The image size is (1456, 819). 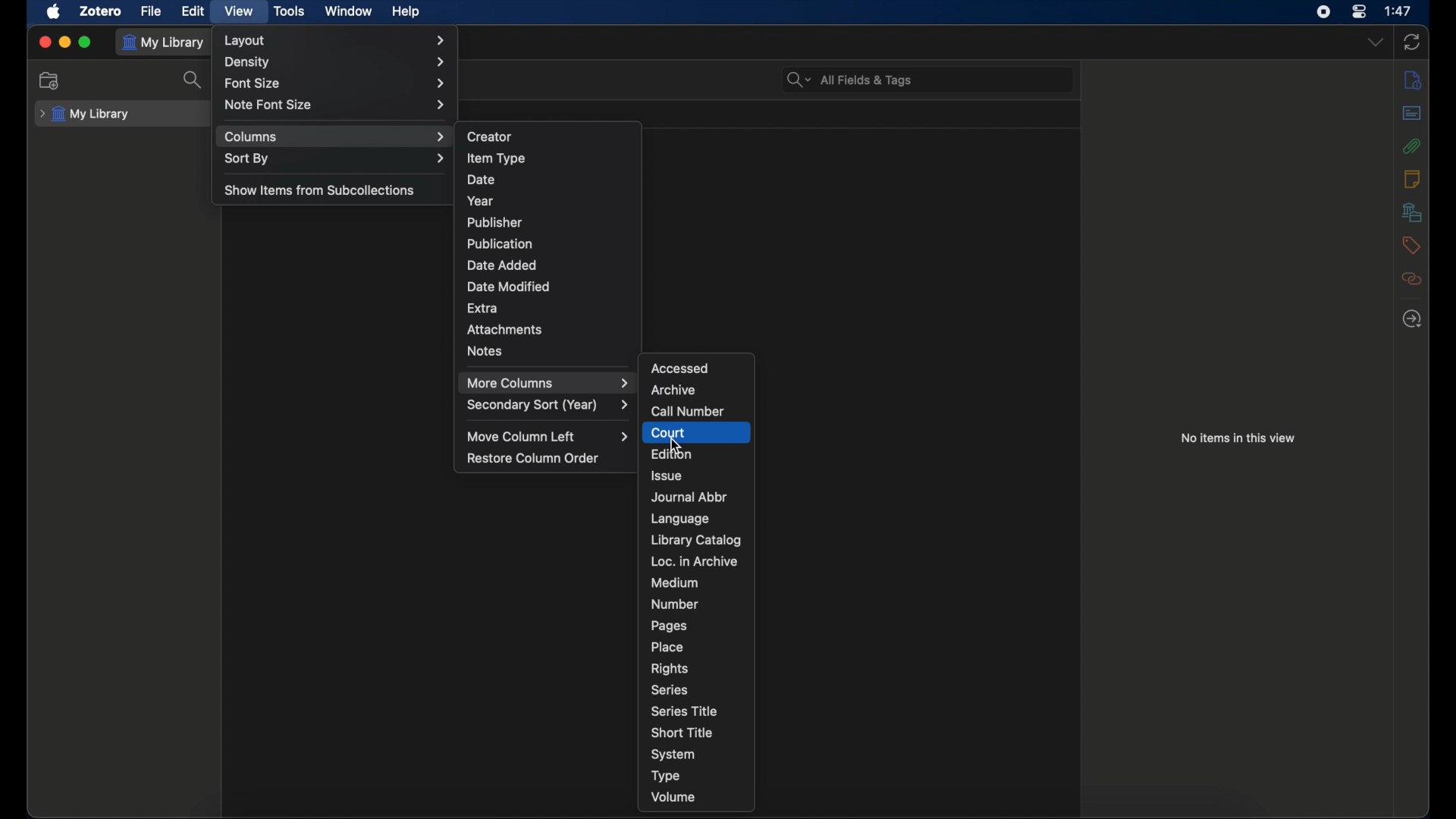 What do you see at coordinates (686, 412) in the screenshot?
I see `call number` at bounding box center [686, 412].